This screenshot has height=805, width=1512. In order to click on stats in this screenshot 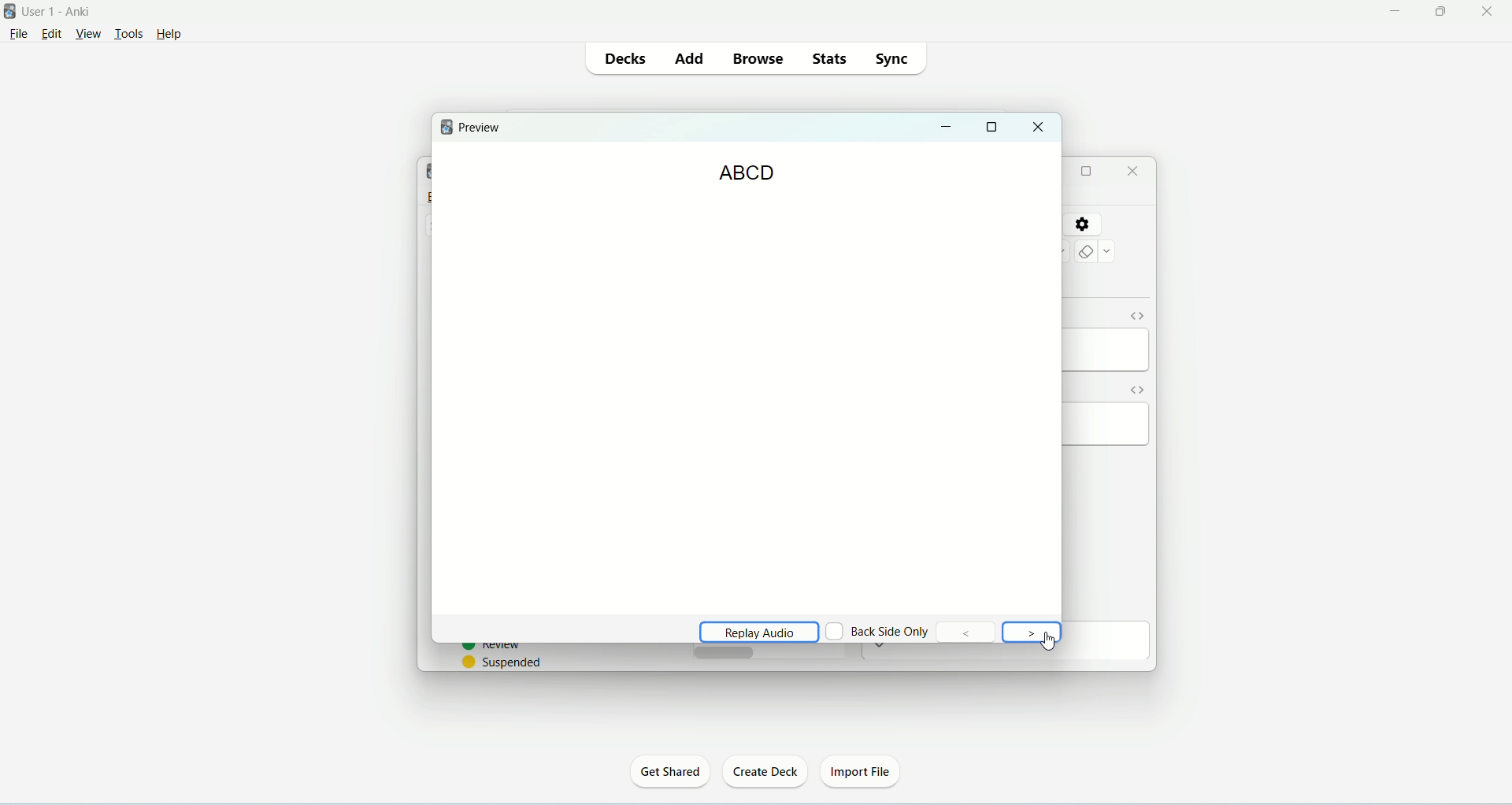, I will do `click(828, 58)`.